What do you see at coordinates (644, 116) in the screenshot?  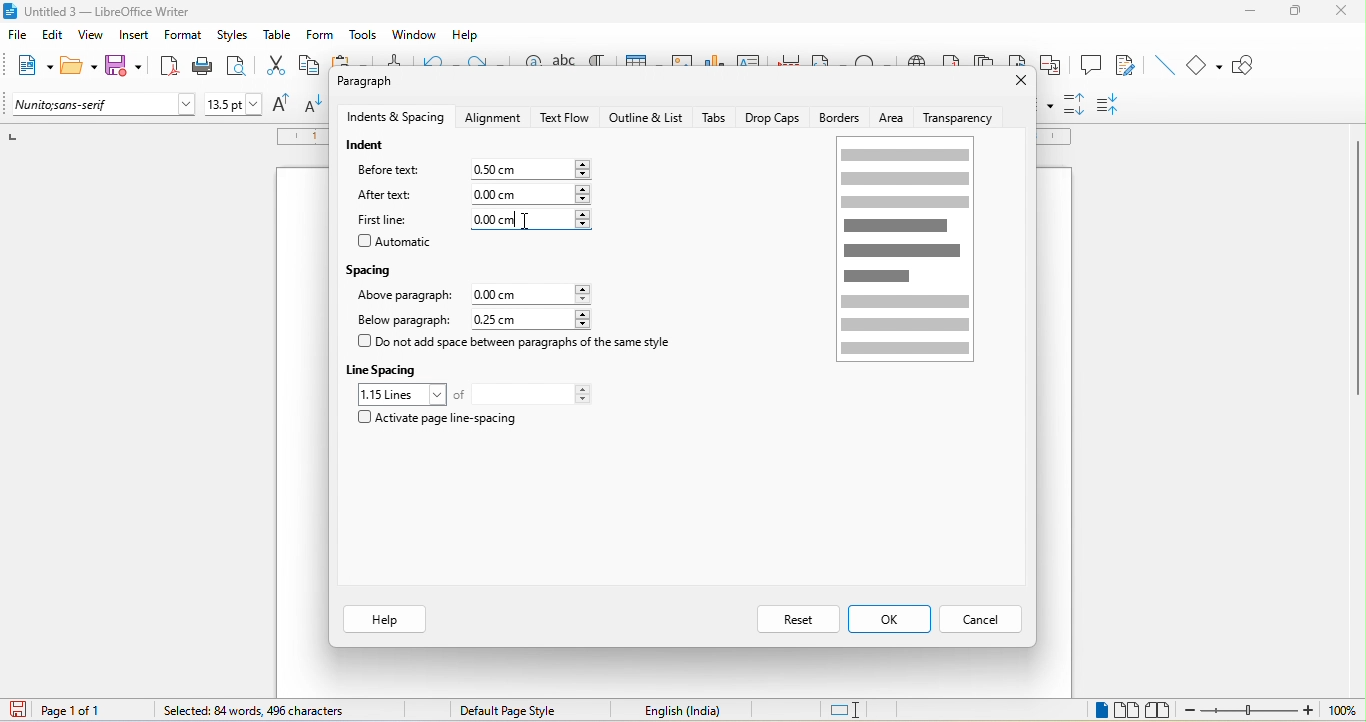 I see `outline and list` at bounding box center [644, 116].